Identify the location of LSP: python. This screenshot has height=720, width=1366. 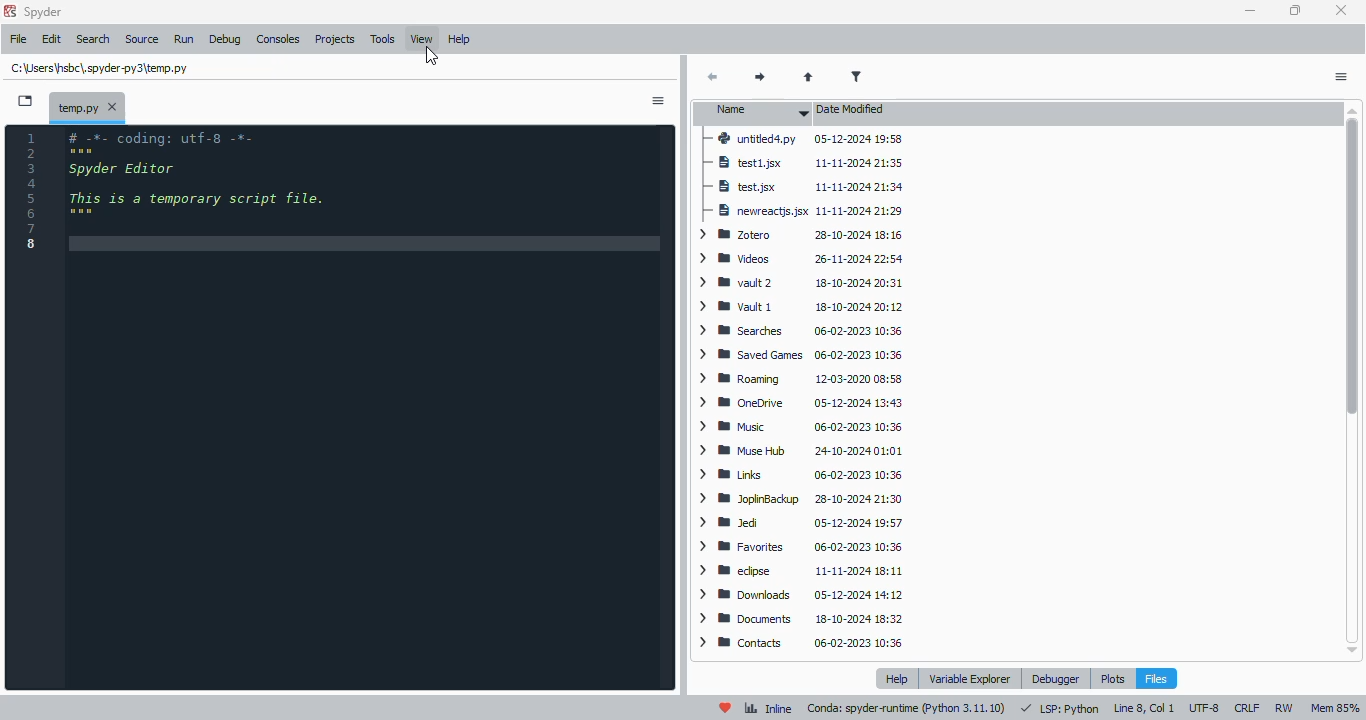
(1061, 708).